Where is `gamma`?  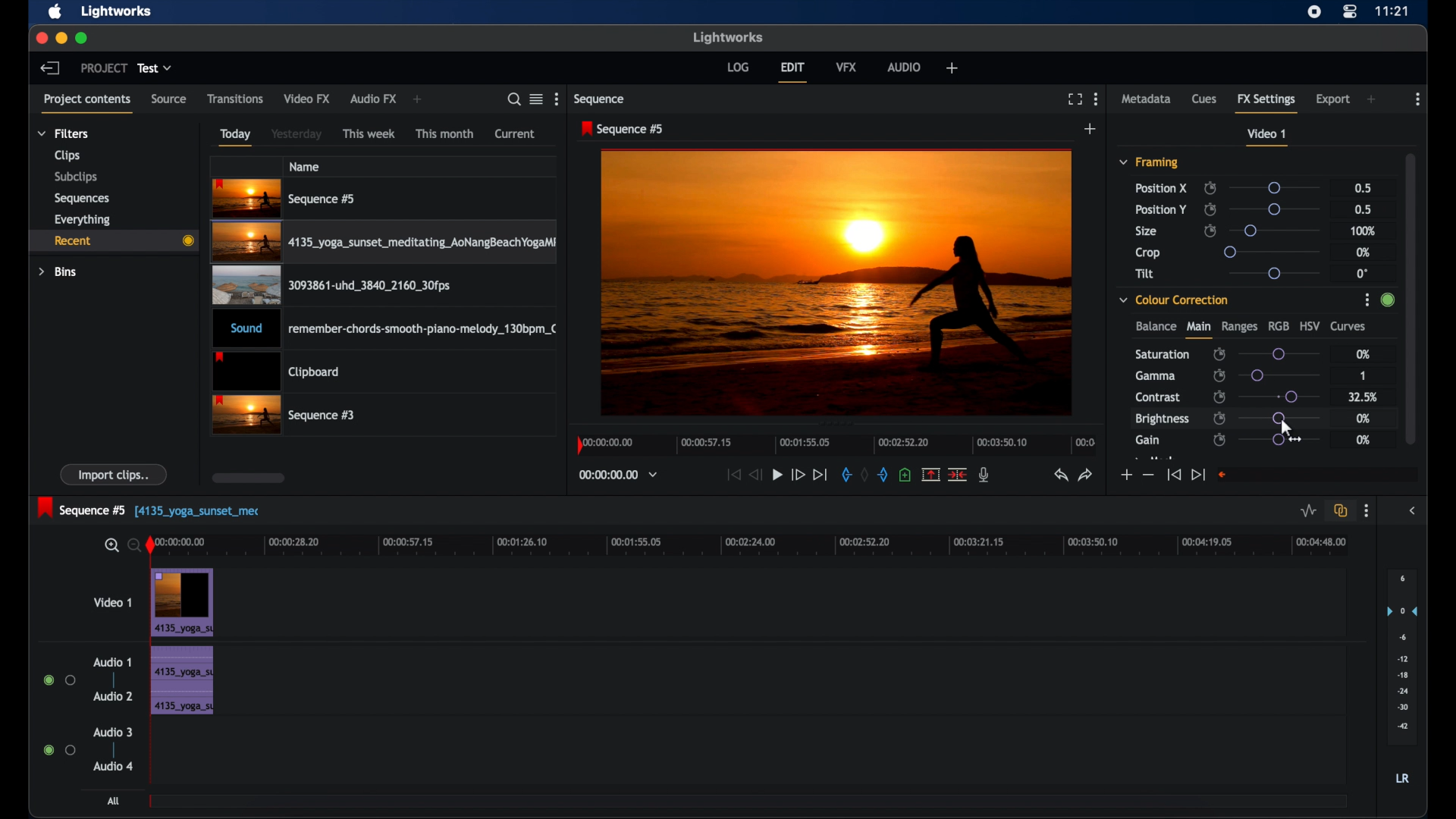
gamma is located at coordinates (1156, 375).